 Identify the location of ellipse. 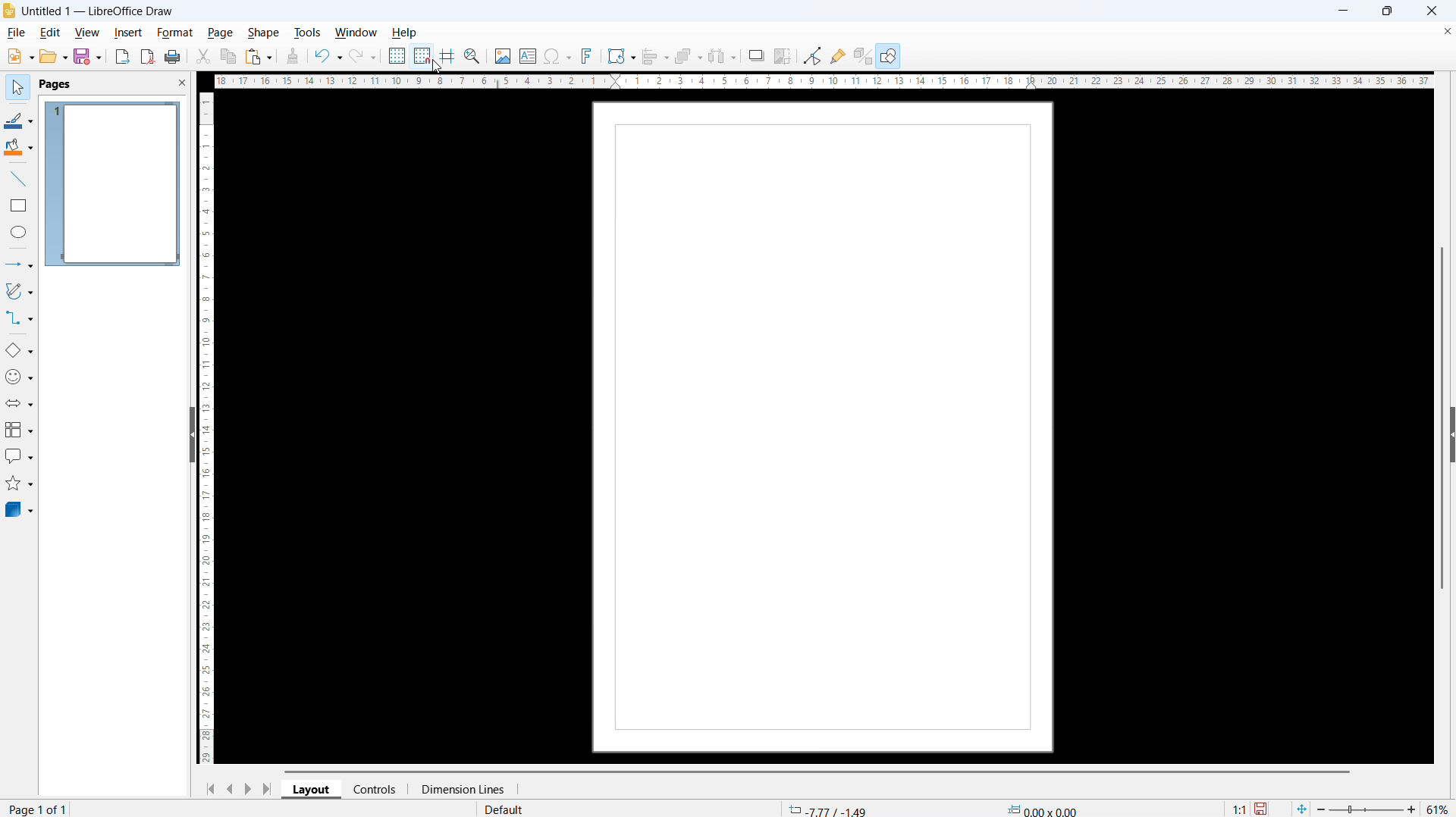
(19, 231).